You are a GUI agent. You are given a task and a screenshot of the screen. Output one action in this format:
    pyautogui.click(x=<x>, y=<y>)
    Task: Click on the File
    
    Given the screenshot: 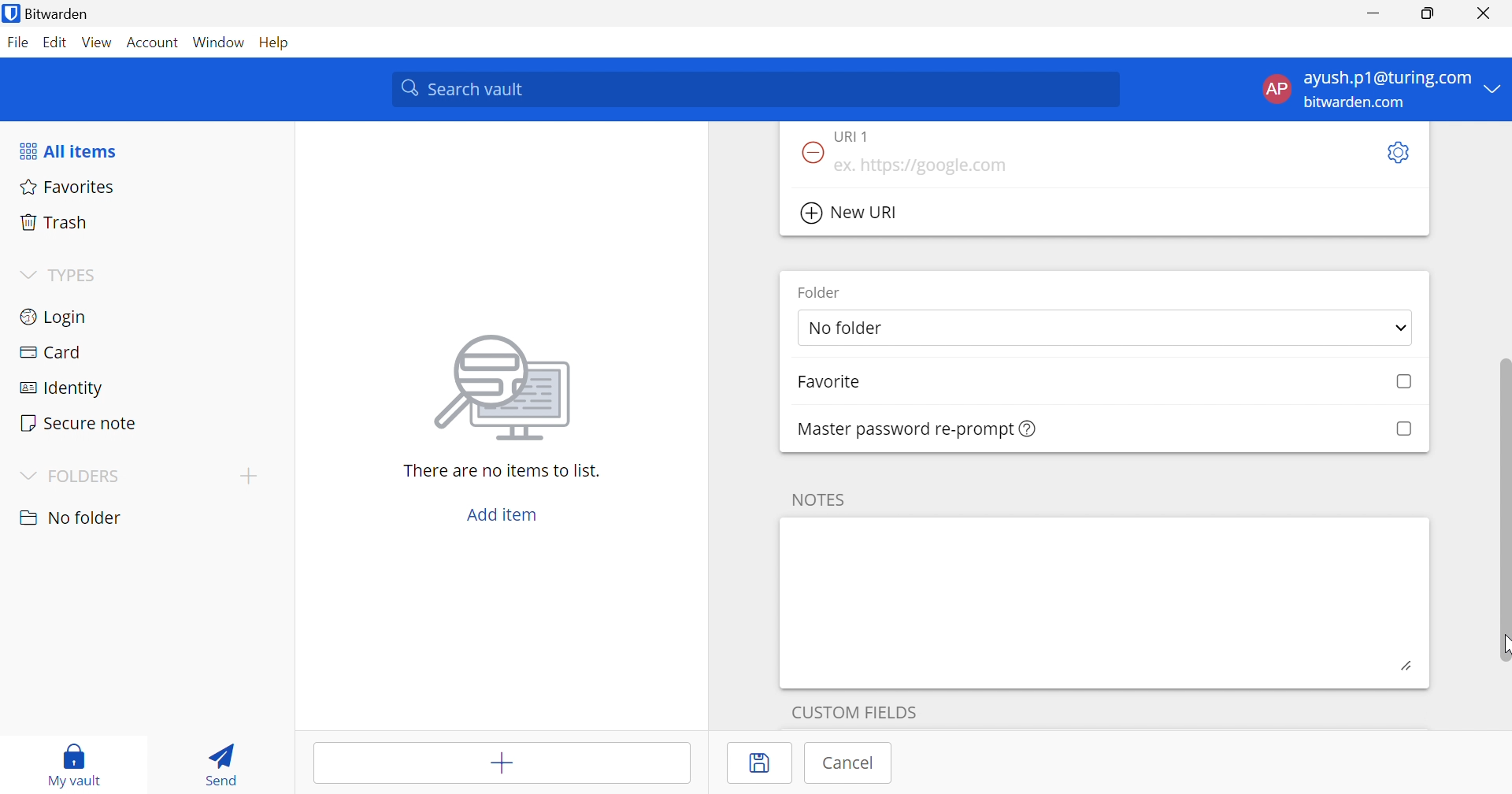 What is the action you would take?
    pyautogui.click(x=17, y=42)
    